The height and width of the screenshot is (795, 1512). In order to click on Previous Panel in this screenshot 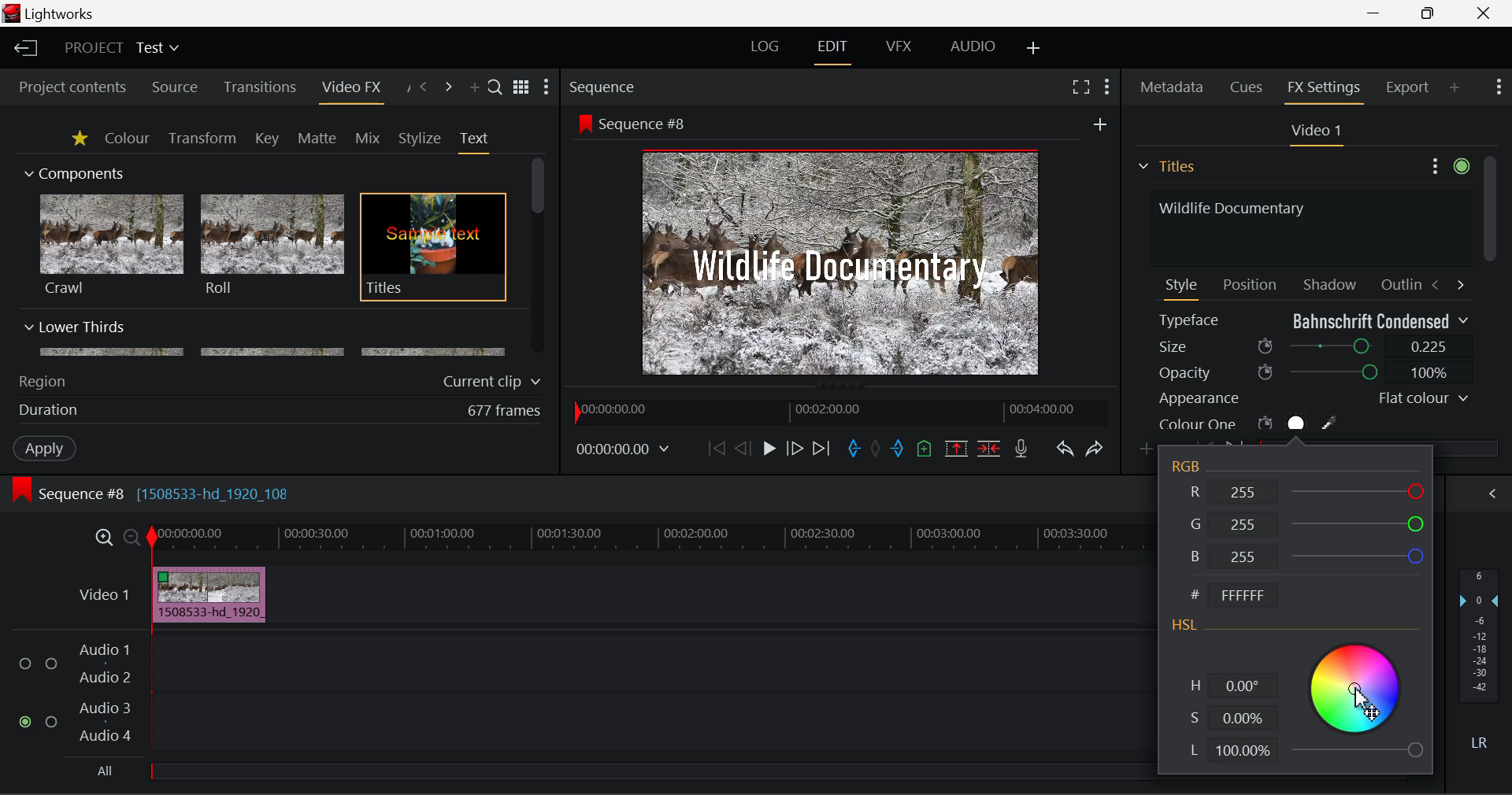, I will do `click(422, 88)`.